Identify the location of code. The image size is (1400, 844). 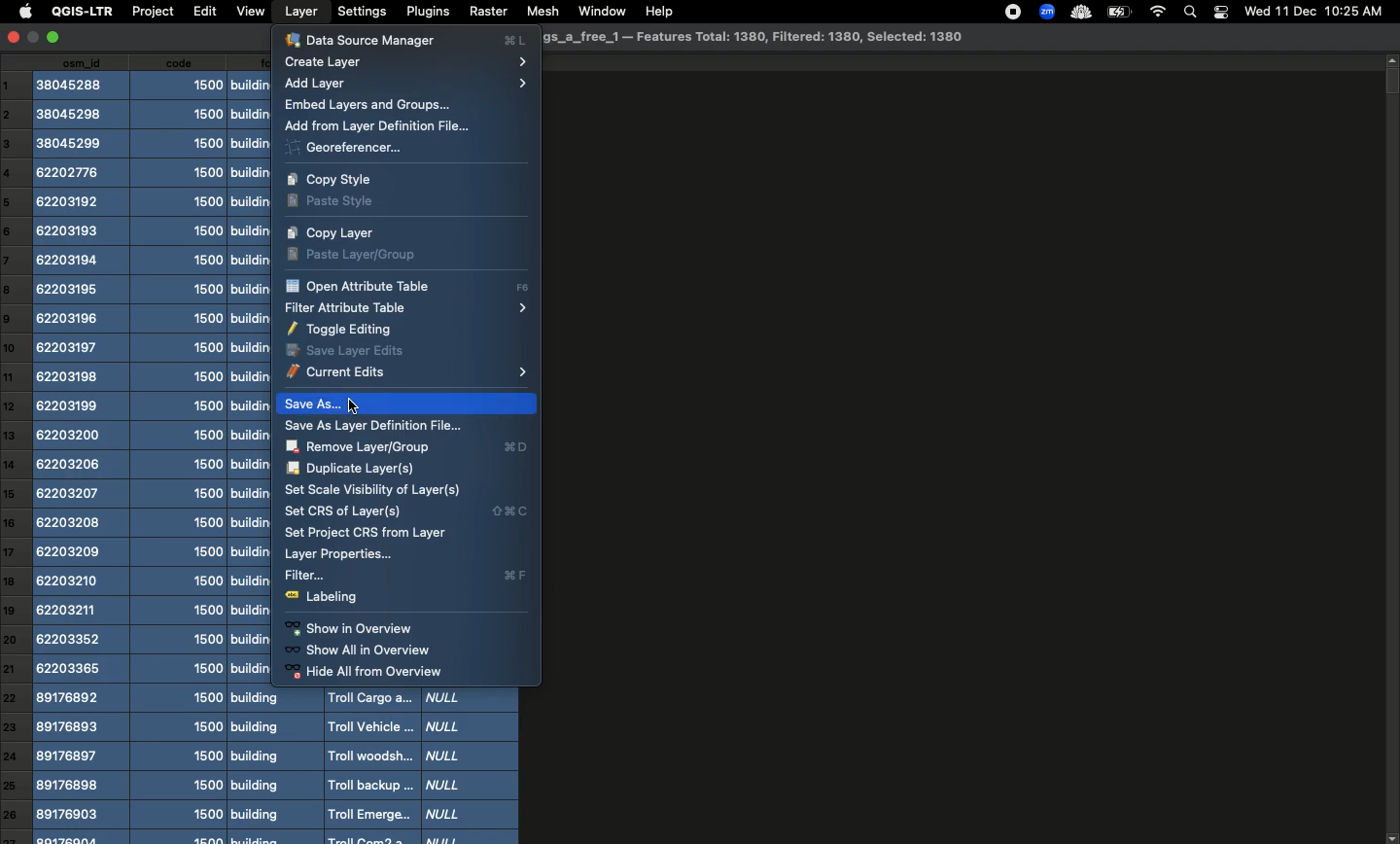
(182, 449).